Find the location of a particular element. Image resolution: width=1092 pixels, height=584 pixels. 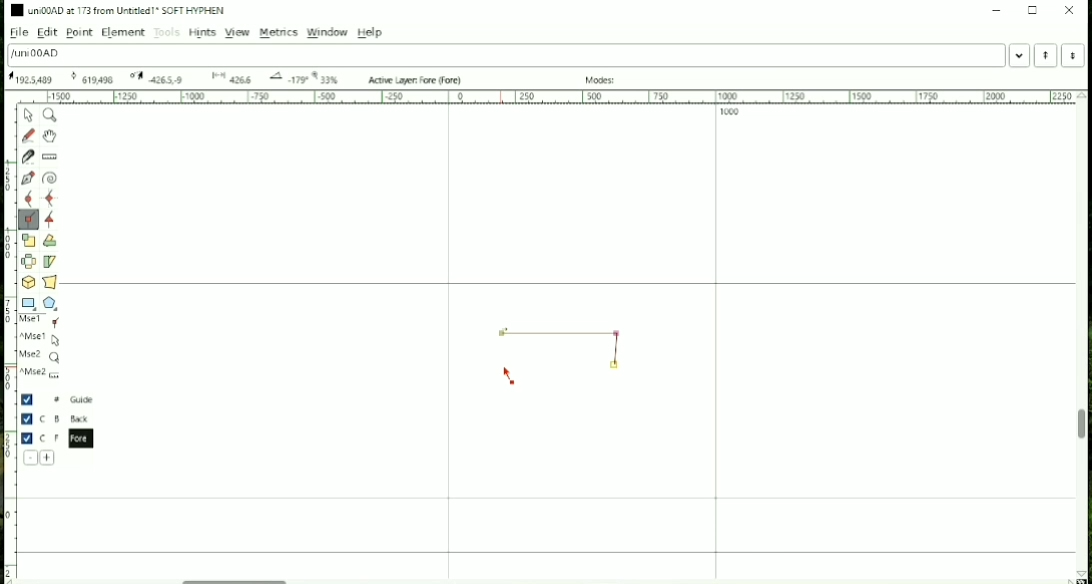

Flip the selection is located at coordinates (29, 261).